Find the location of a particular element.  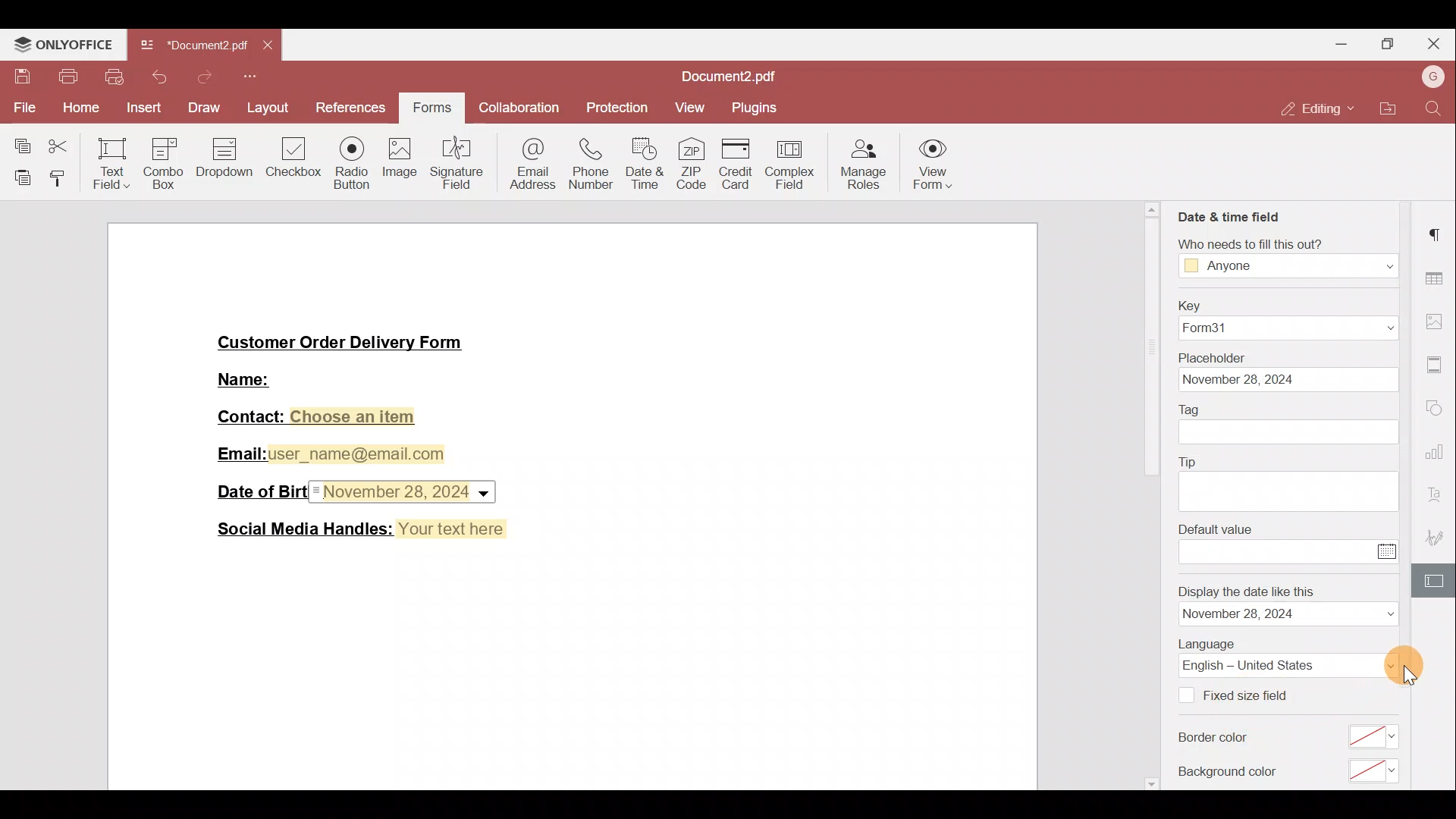

tag is located at coordinates (1290, 433).